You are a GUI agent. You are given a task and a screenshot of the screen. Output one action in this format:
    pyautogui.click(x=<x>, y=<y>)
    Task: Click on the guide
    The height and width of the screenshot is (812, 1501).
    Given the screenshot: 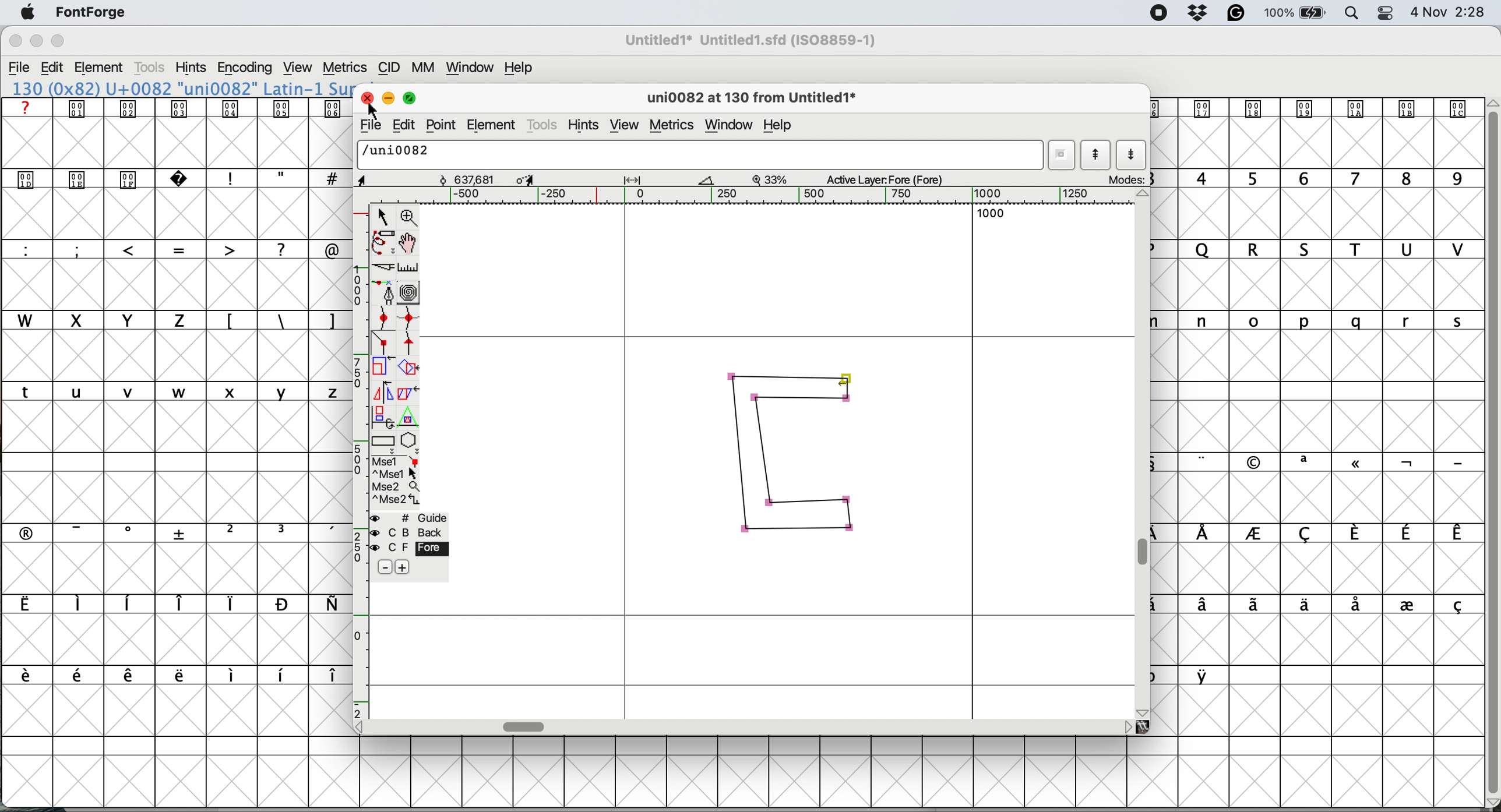 What is the action you would take?
    pyautogui.click(x=410, y=518)
    